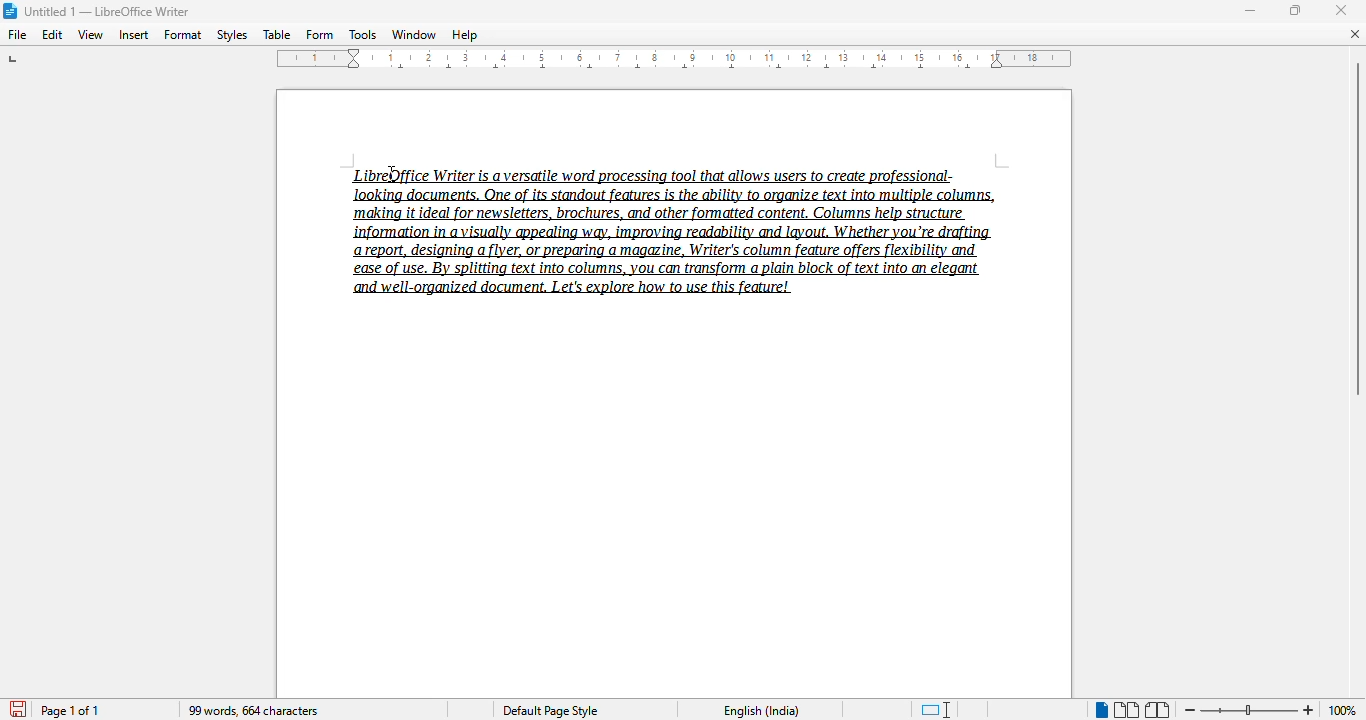 The width and height of the screenshot is (1366, 720). Describe the element at coordinates (675, 60) in the screenshot. I see `ruler` at that location.